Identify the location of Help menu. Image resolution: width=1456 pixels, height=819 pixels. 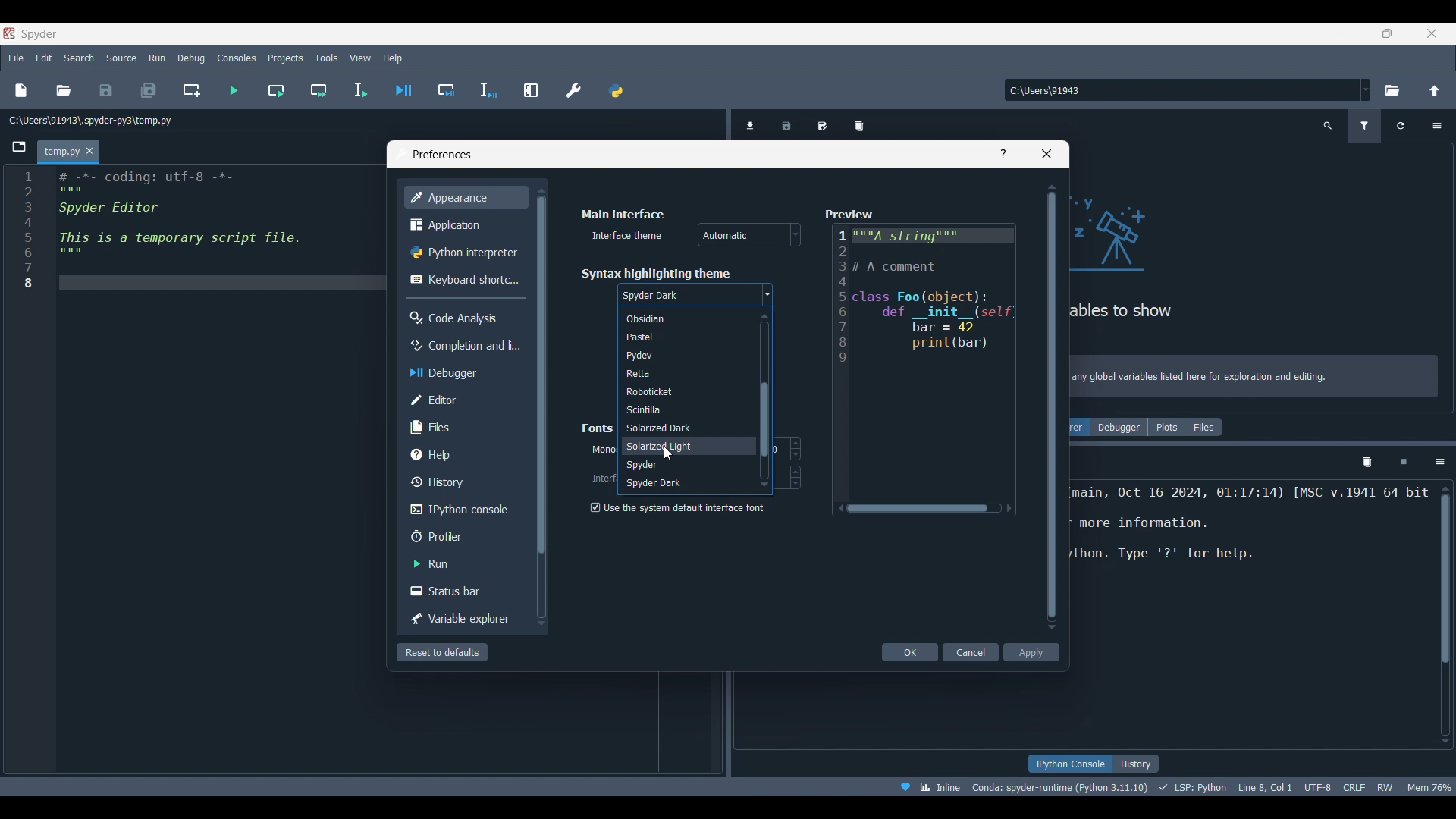
(393, 58).